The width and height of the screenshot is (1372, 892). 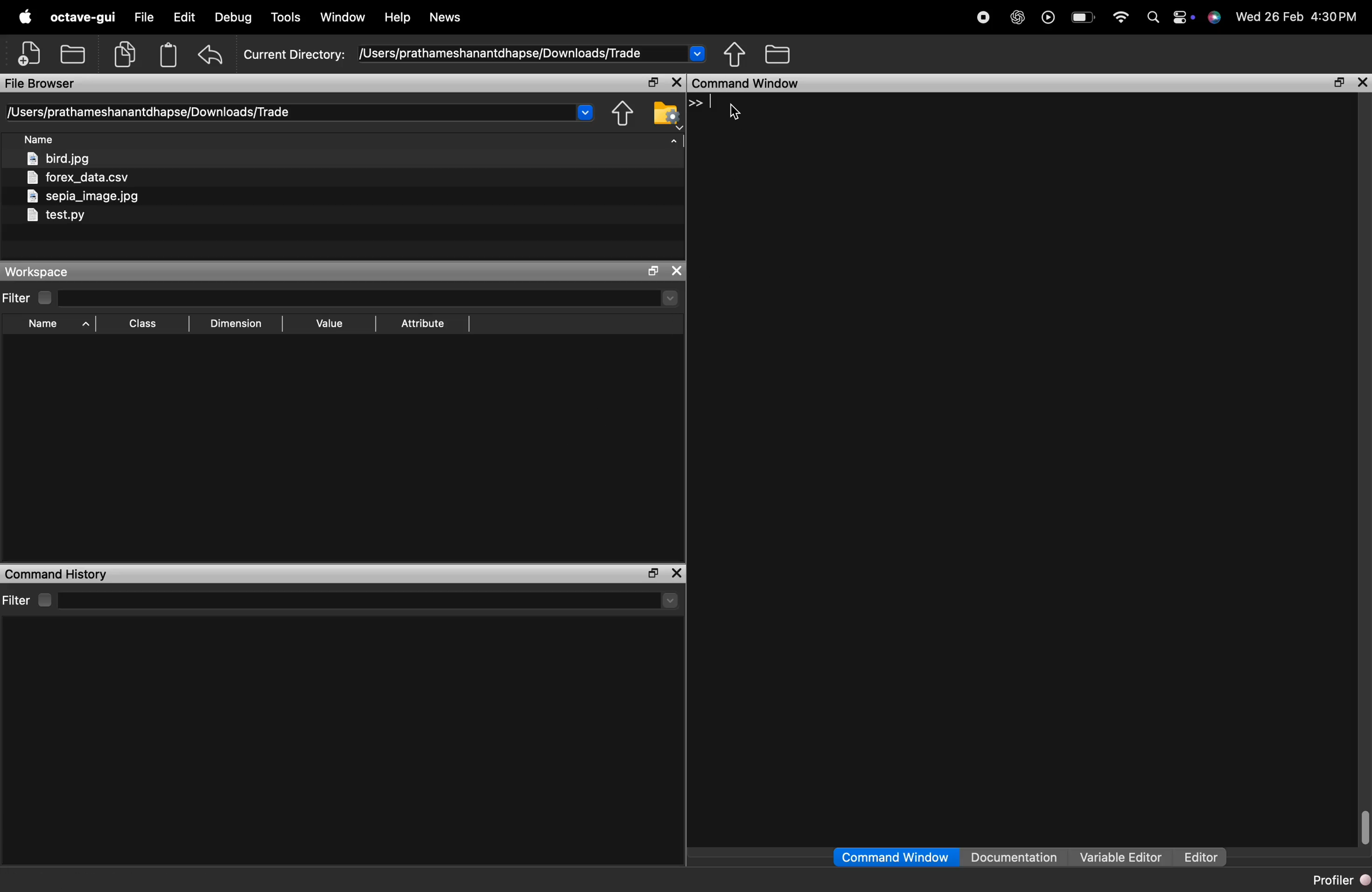 I want to click on support, so click(x=1215, y=18).